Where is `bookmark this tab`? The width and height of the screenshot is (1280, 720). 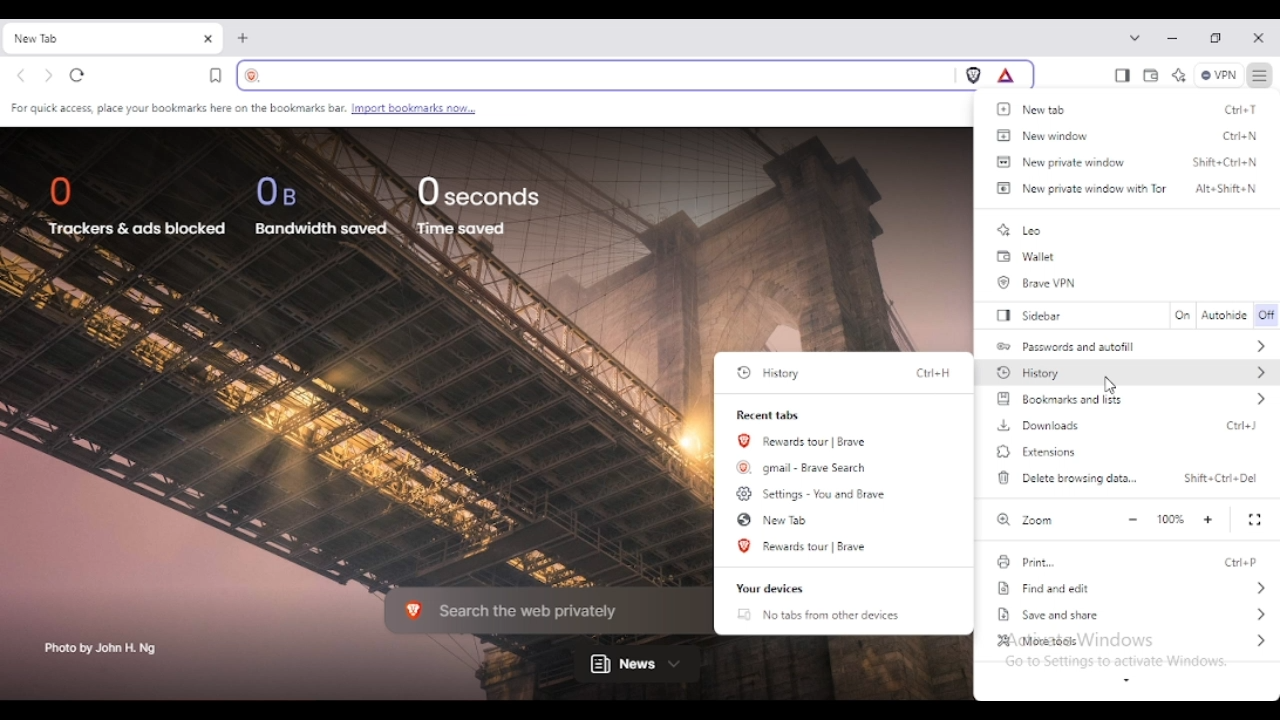
bookmark this tab is located at coordinates (216, 75).